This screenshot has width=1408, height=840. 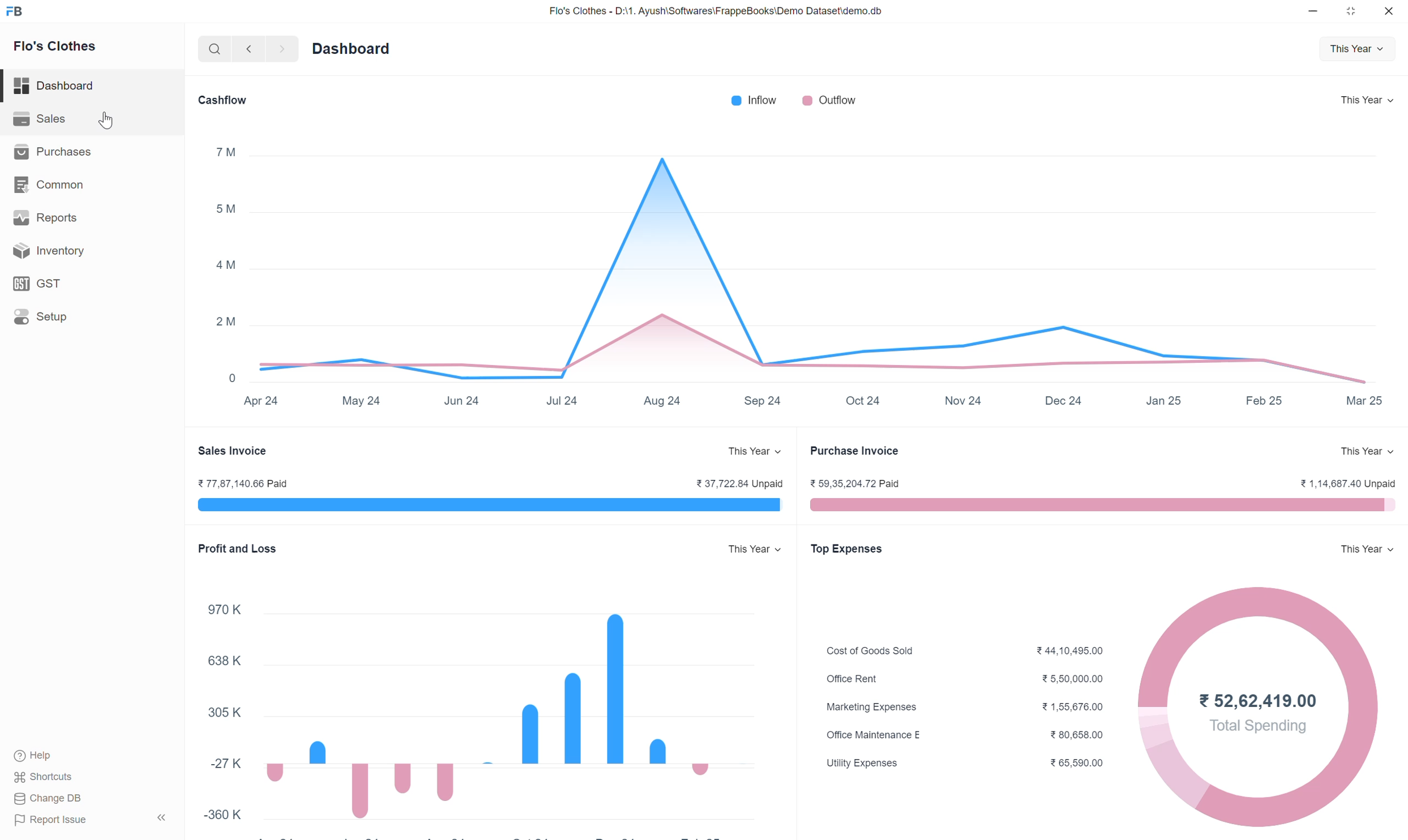 I want to click on F52.62.419.00, so click(x=1254, y=698).